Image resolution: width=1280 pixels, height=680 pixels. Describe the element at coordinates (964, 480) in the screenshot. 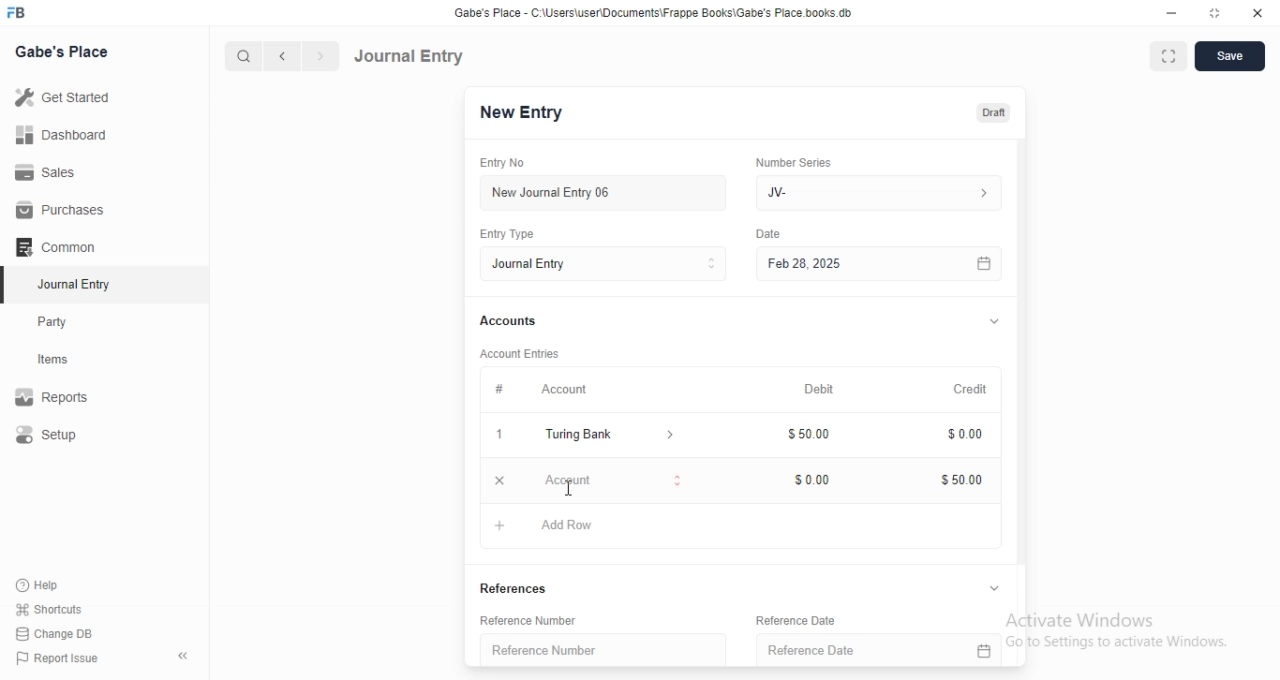

I see `$5000` at that location.